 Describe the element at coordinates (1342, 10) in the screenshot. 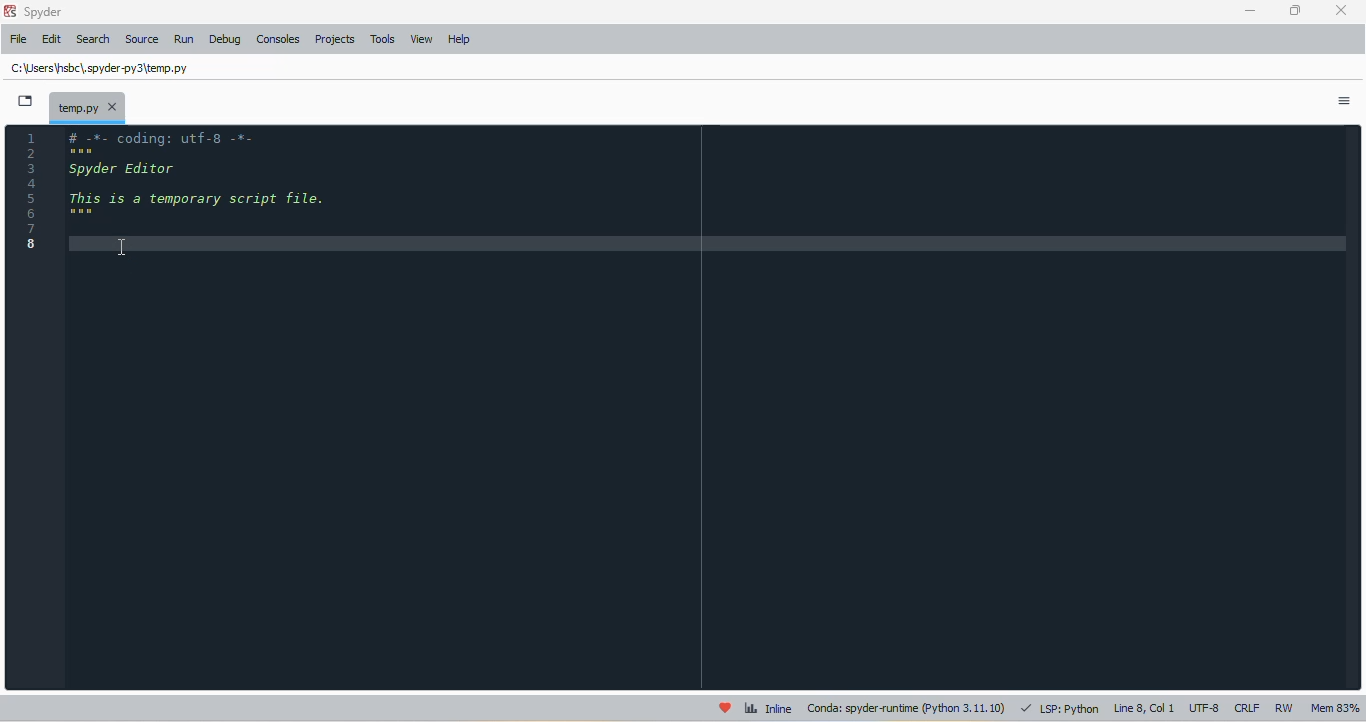

I see `close` at that location.